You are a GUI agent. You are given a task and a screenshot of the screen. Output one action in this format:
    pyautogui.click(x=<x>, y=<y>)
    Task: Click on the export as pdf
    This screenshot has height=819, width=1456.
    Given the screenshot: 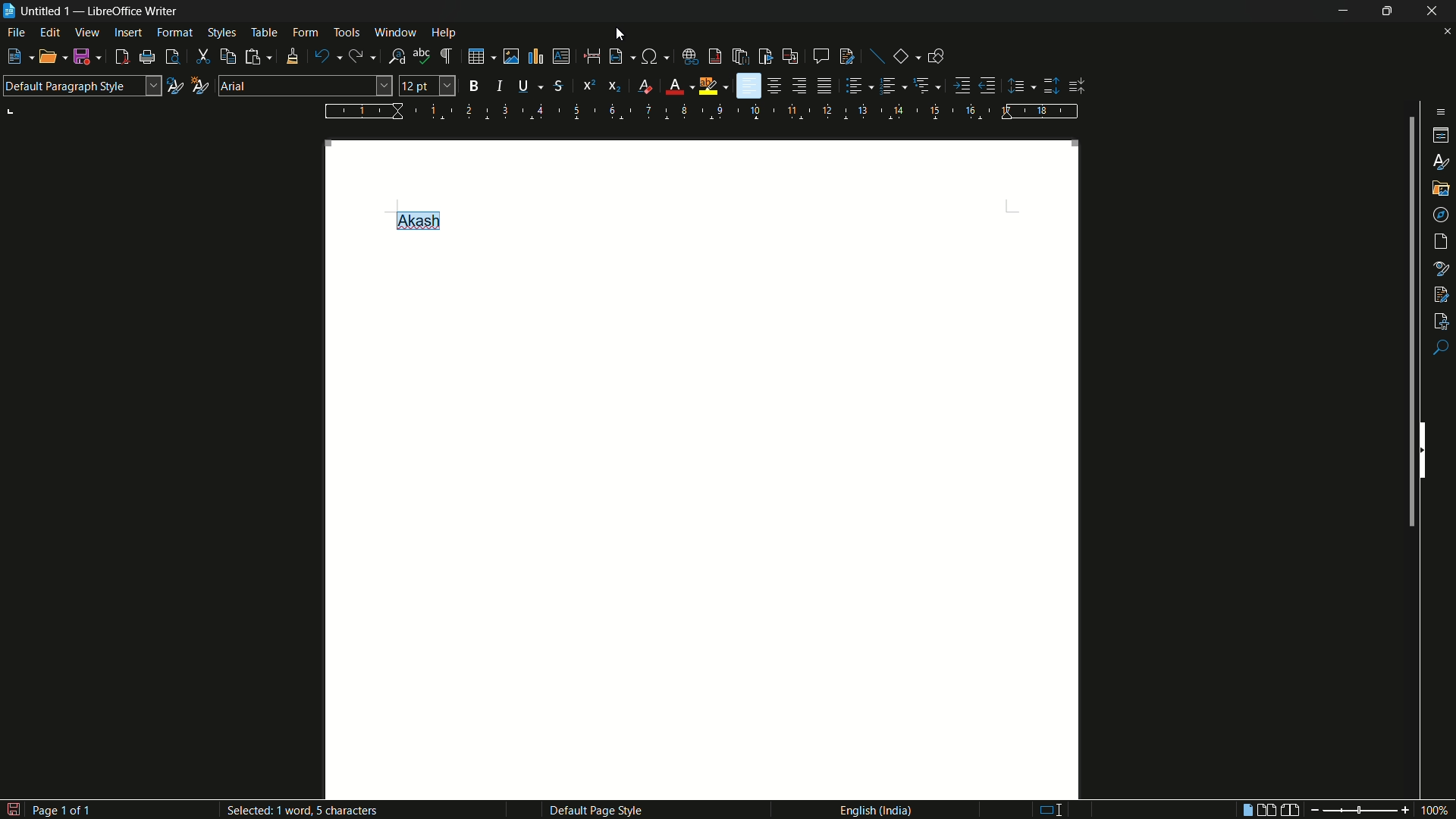 What is the action you would take?
    pyautogui.click(x=121, y=58)
    